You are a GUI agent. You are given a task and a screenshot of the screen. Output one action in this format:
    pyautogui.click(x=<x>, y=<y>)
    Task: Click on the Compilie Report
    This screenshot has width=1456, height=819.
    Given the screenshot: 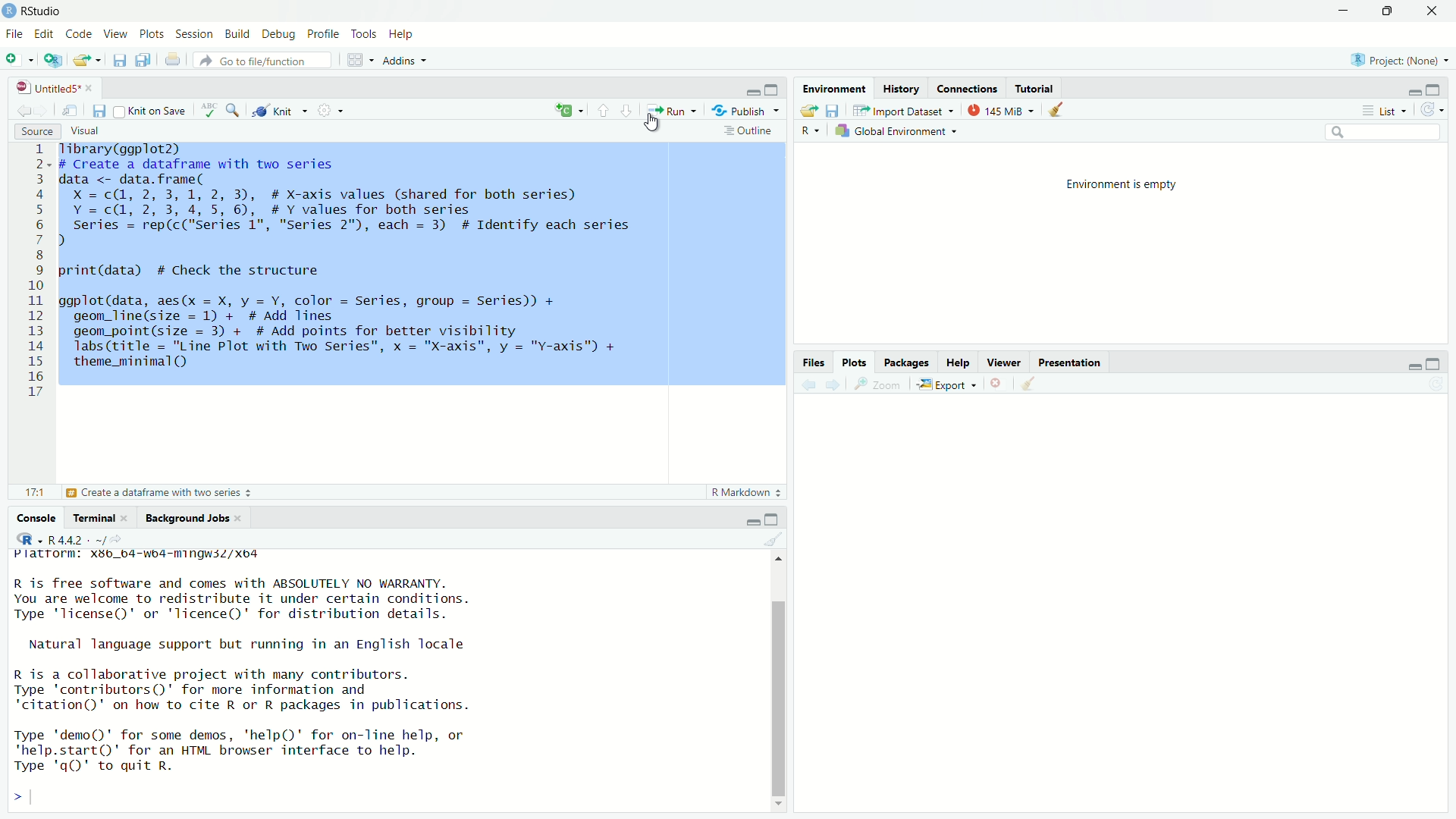 What is the action you would take?
    pyautogui.click(x=332, y=111)
    